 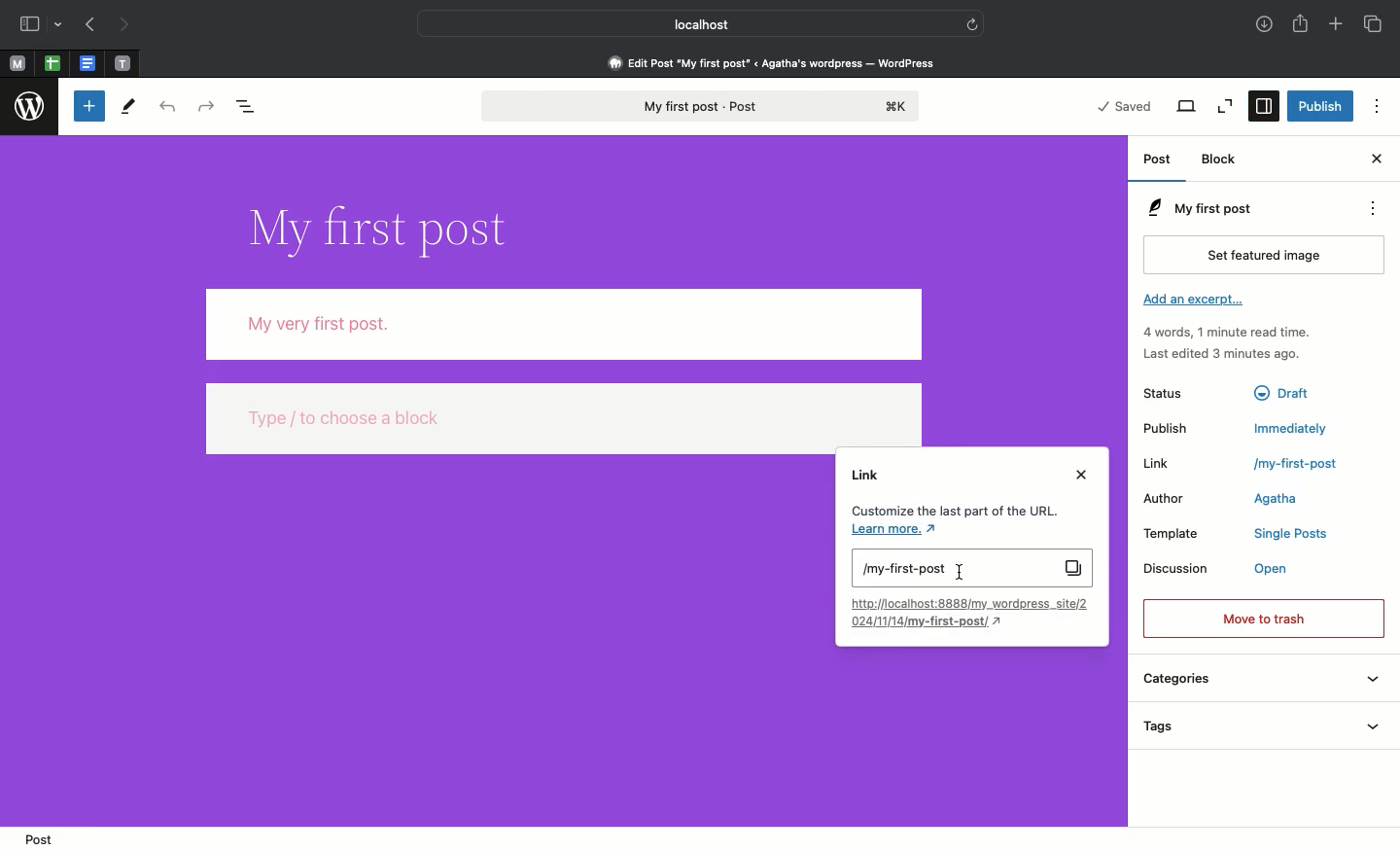 I want to click on Pinned tabs, so click(x=18, y=63).